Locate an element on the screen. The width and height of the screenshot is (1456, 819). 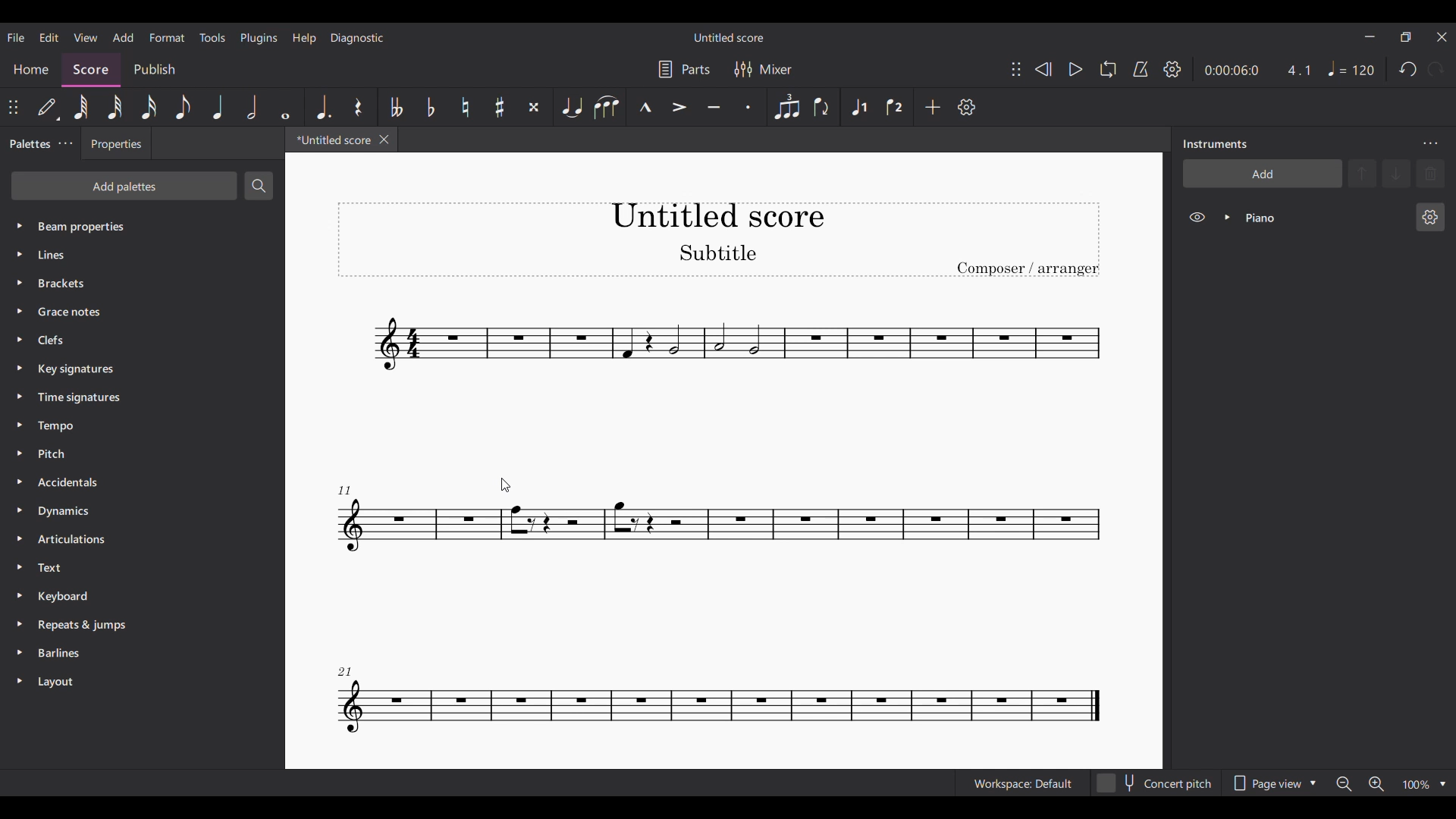
Manage parts is located at coordinates (684, 69).